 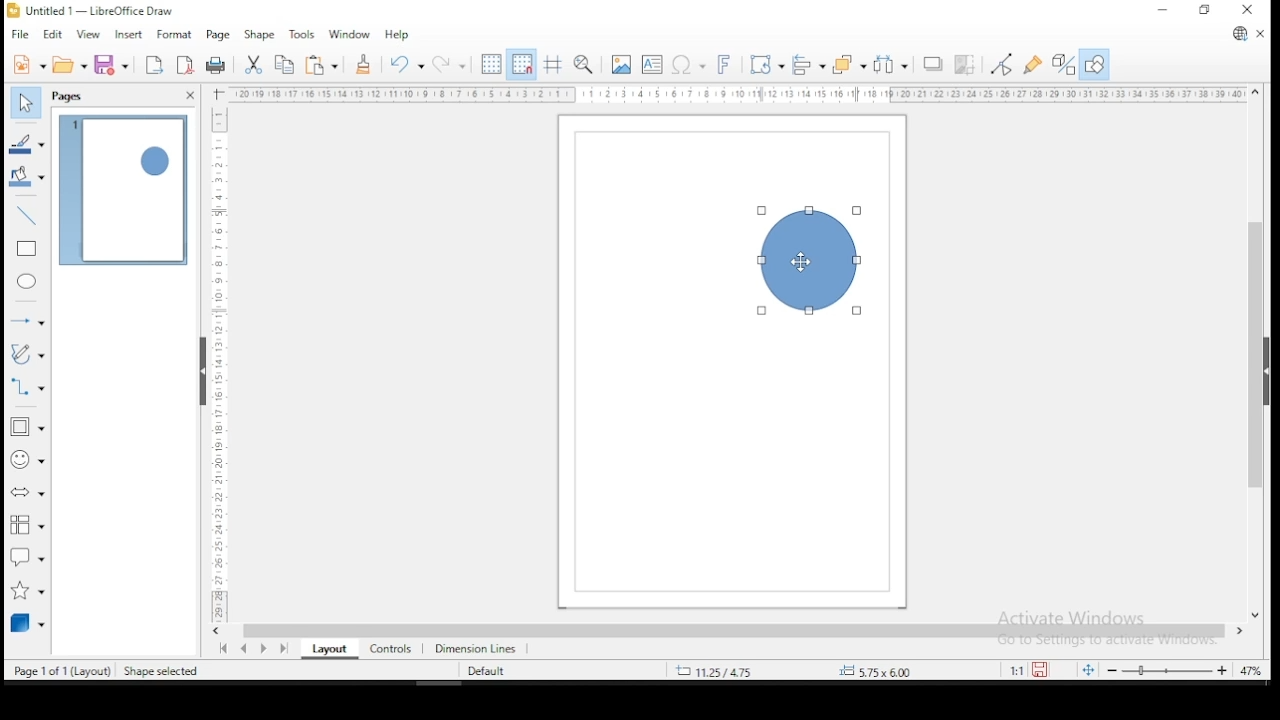 I want to click on copy, so click(x=285, y=65).